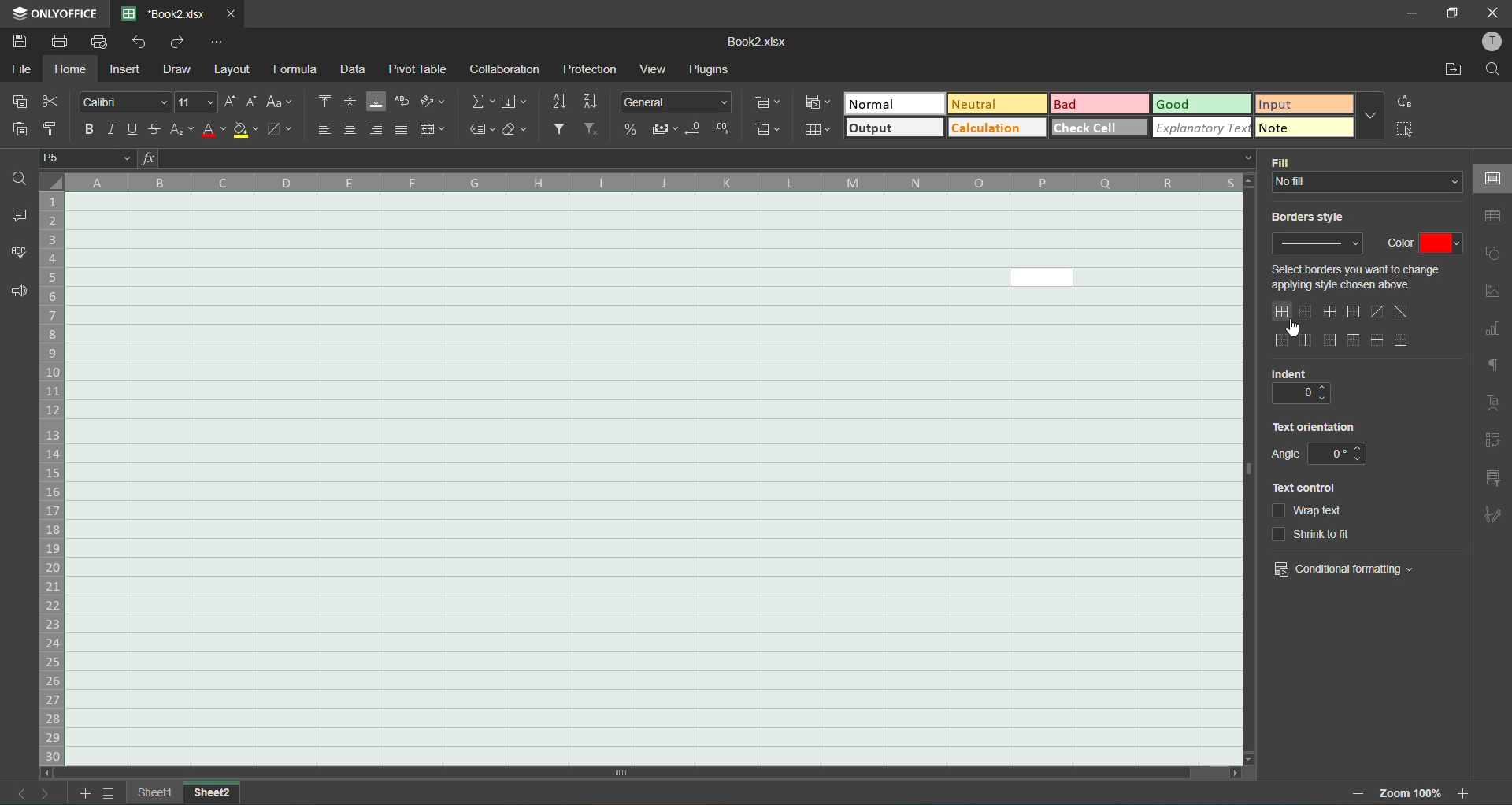 This screenshot has height=805, width=1512. I want to click on zoom 100%, so click(1410, 793).